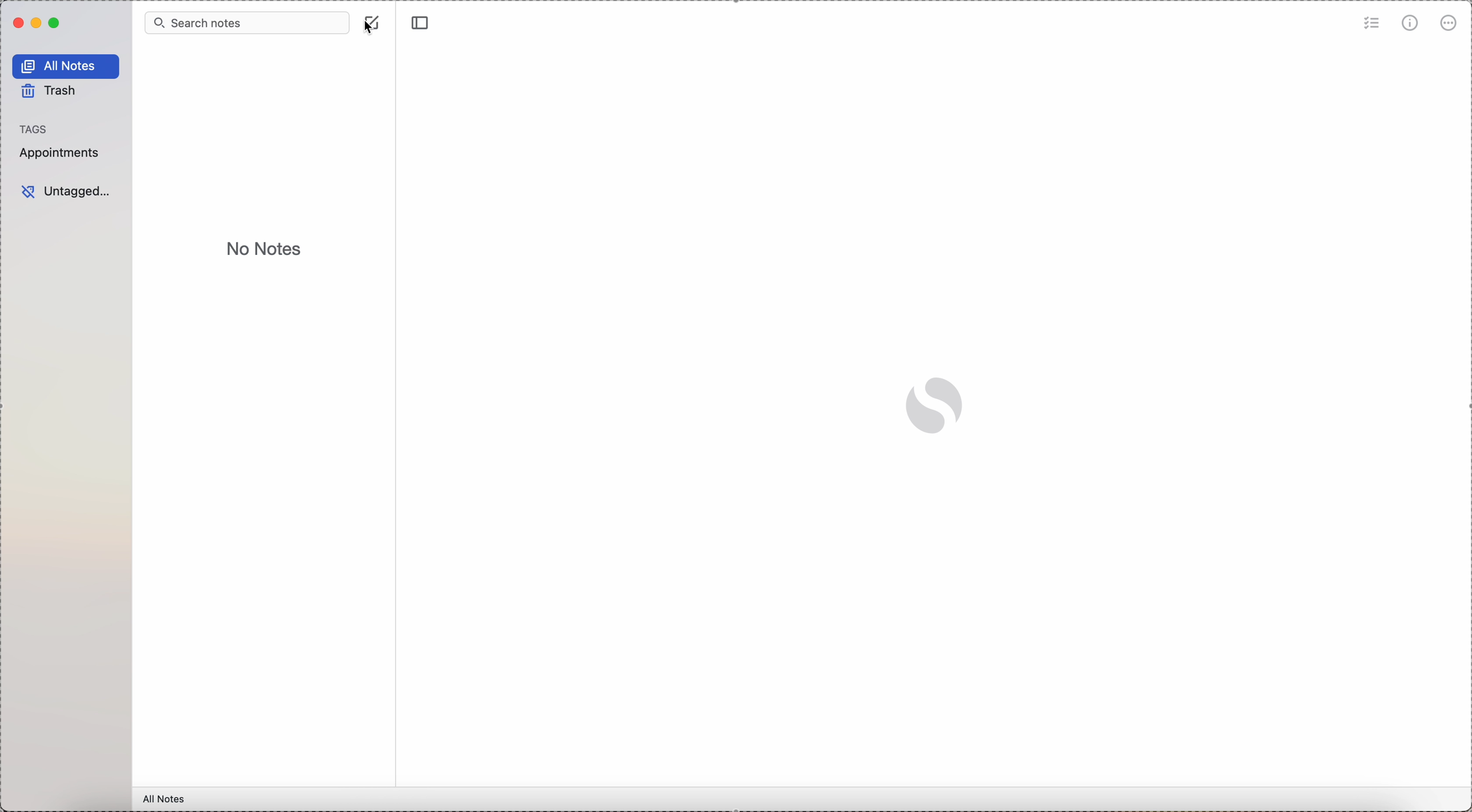  What do you see at coordinates (262, 247) in the screenshot?
I see `no notes` at bounding box center [262, 247].